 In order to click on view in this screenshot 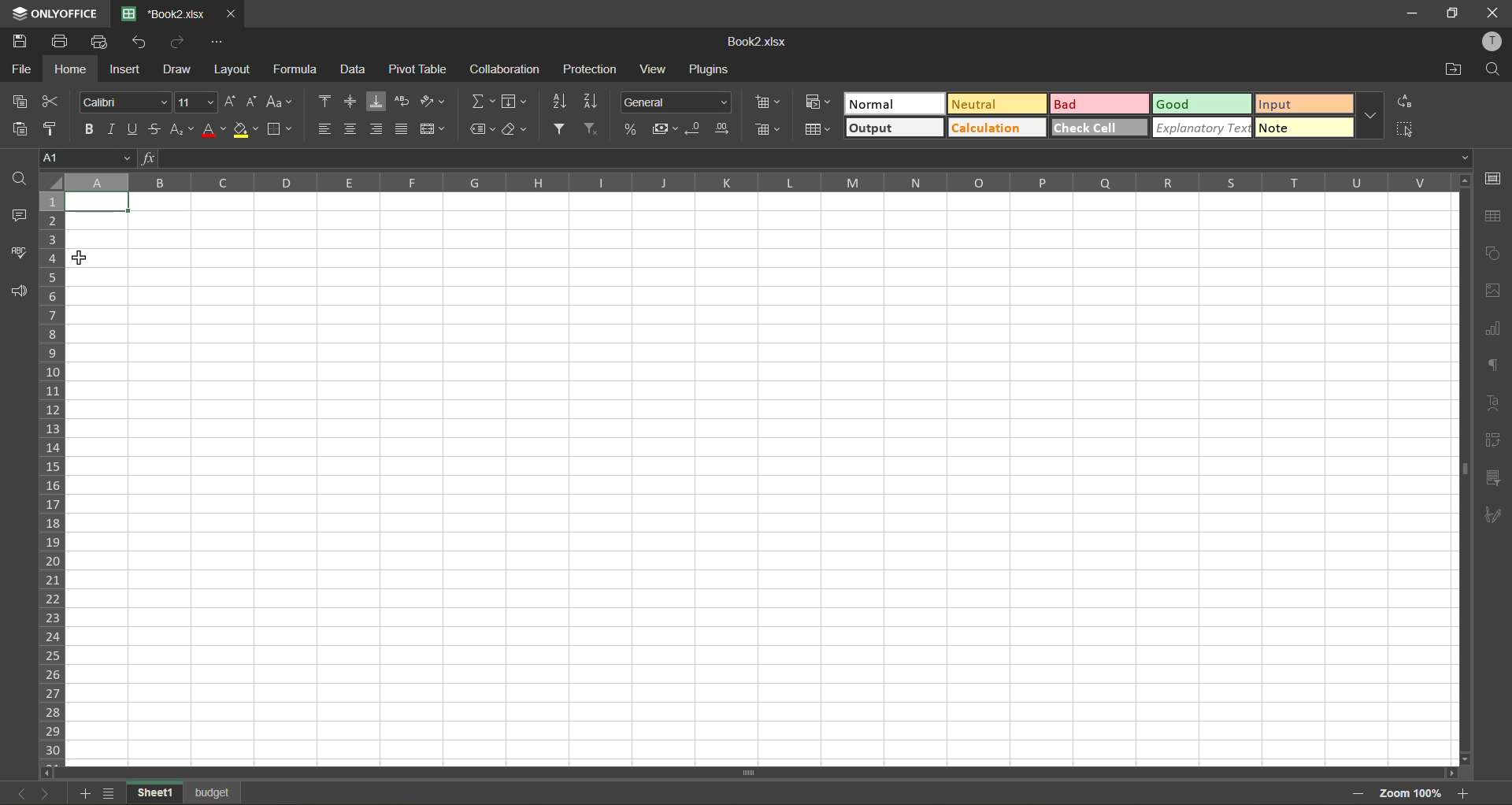, I will do `click(660, 69)`.